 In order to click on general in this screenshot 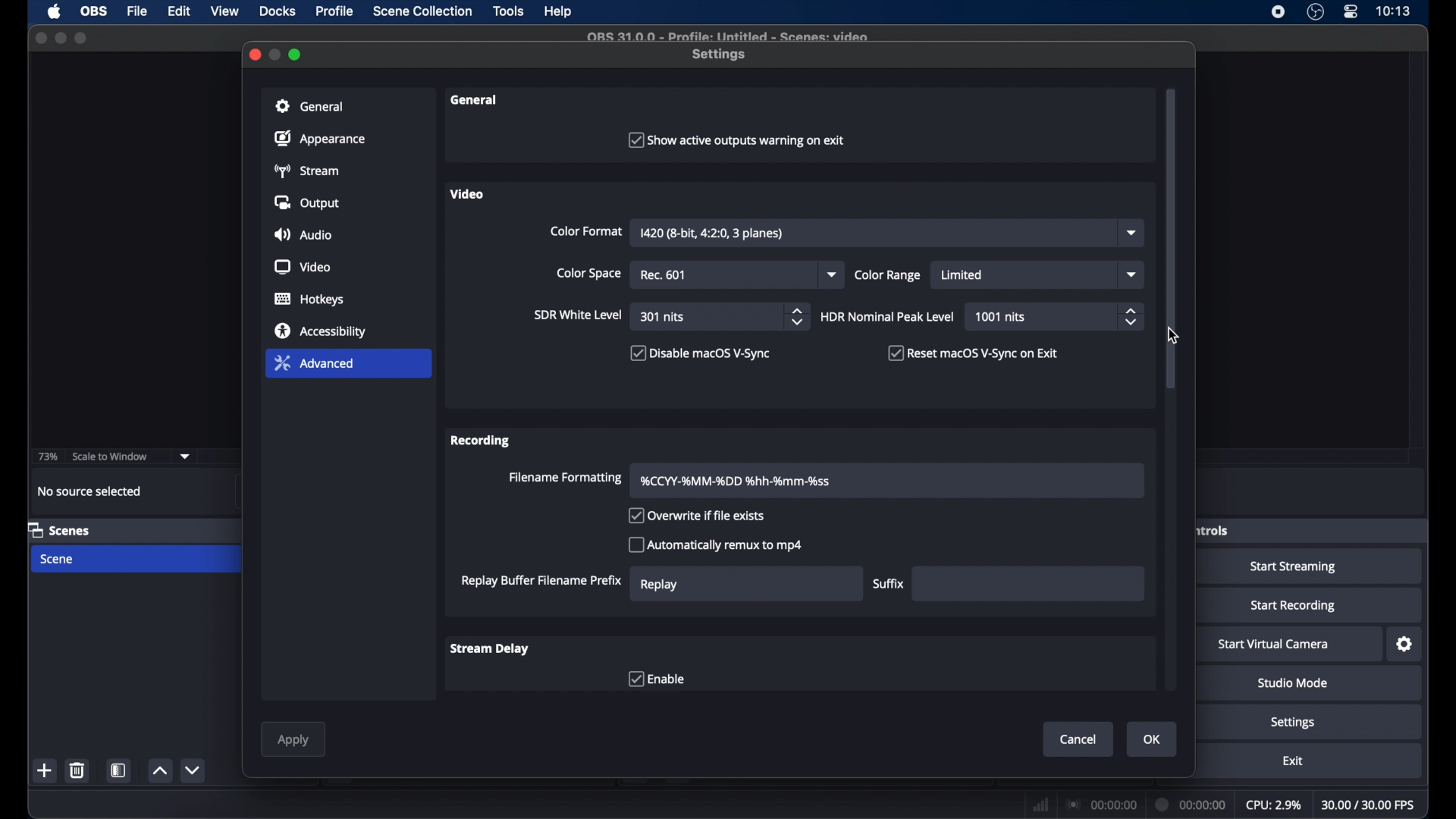, I will do `click(310, 106)`.